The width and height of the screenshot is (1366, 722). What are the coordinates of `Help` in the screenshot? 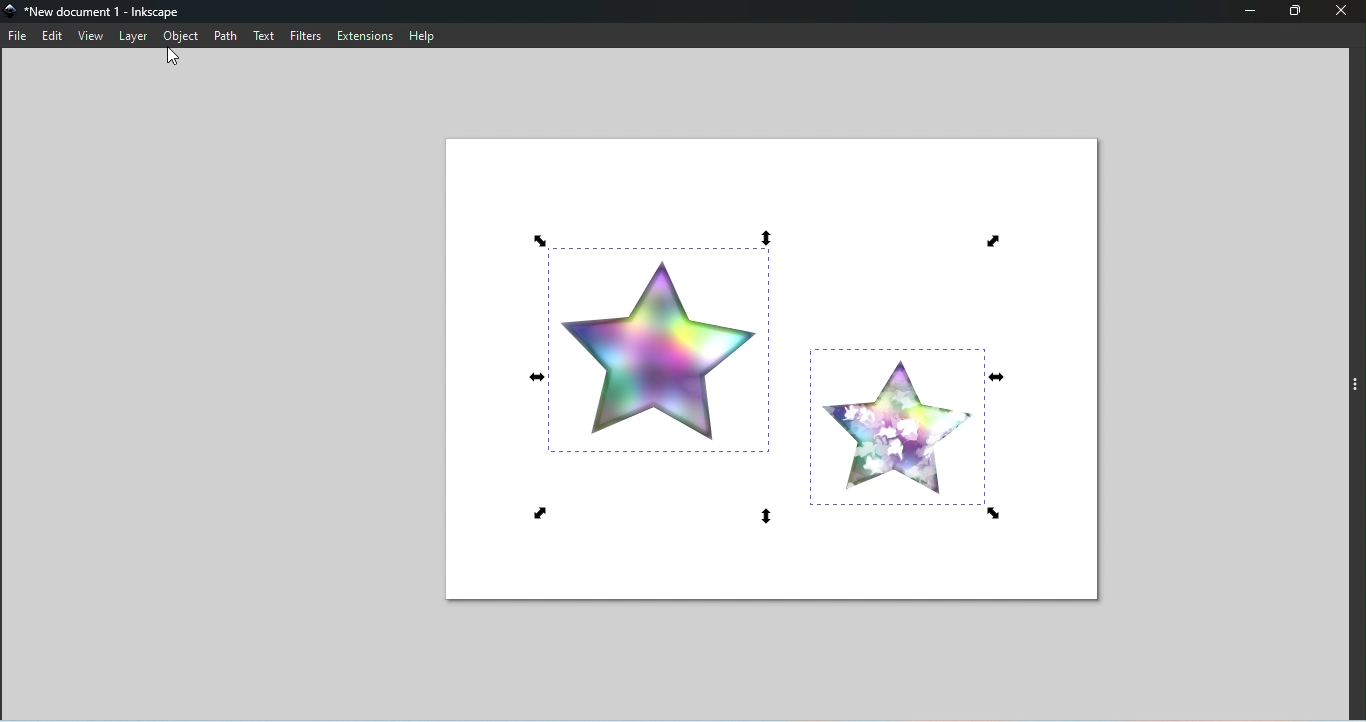 It's located at (427, 35).